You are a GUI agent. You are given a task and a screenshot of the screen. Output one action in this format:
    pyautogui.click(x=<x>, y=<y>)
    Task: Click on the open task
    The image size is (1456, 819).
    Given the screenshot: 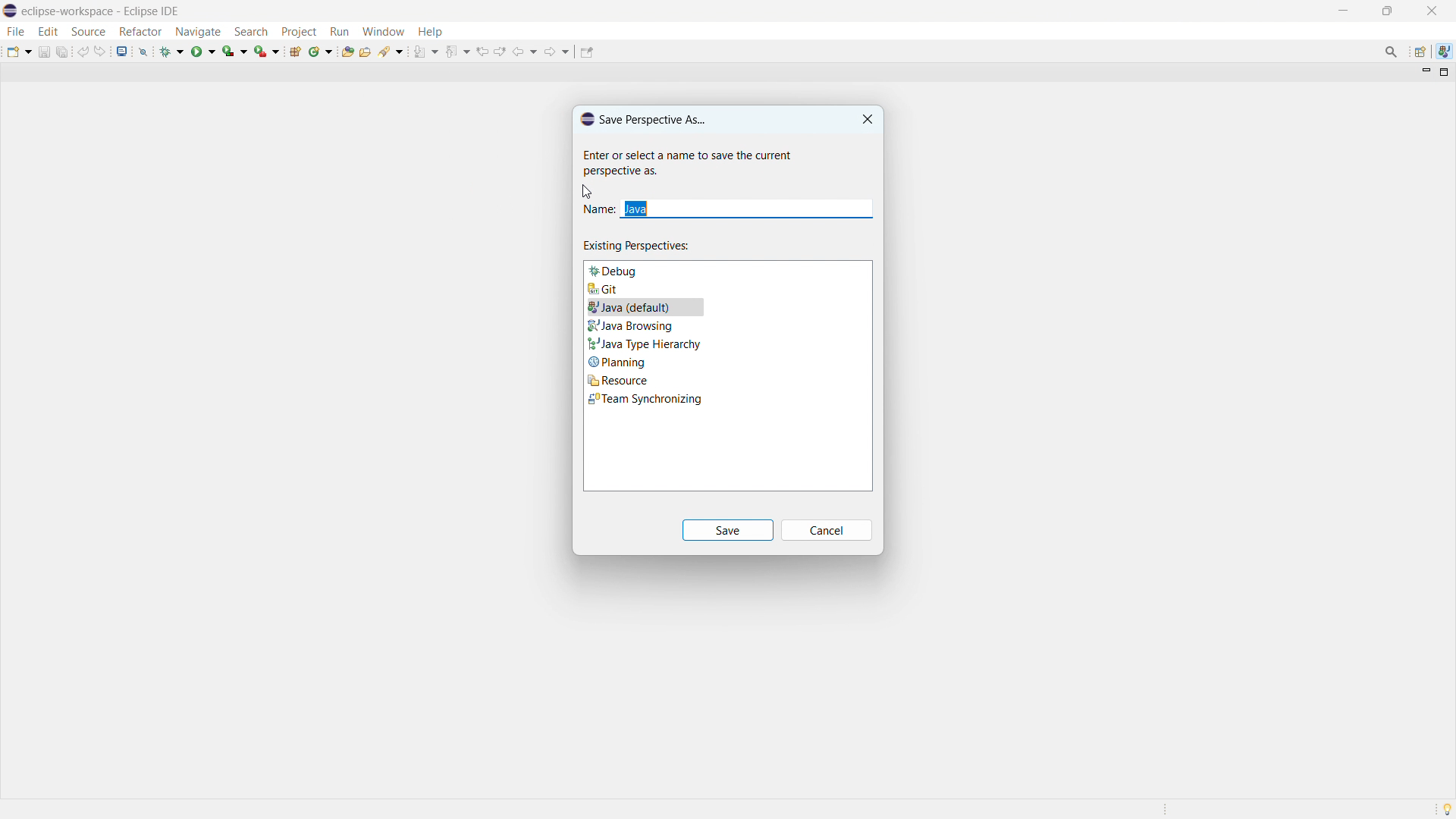 What is the action you would take?
    pyautogui.click(x=366, y=52)
    